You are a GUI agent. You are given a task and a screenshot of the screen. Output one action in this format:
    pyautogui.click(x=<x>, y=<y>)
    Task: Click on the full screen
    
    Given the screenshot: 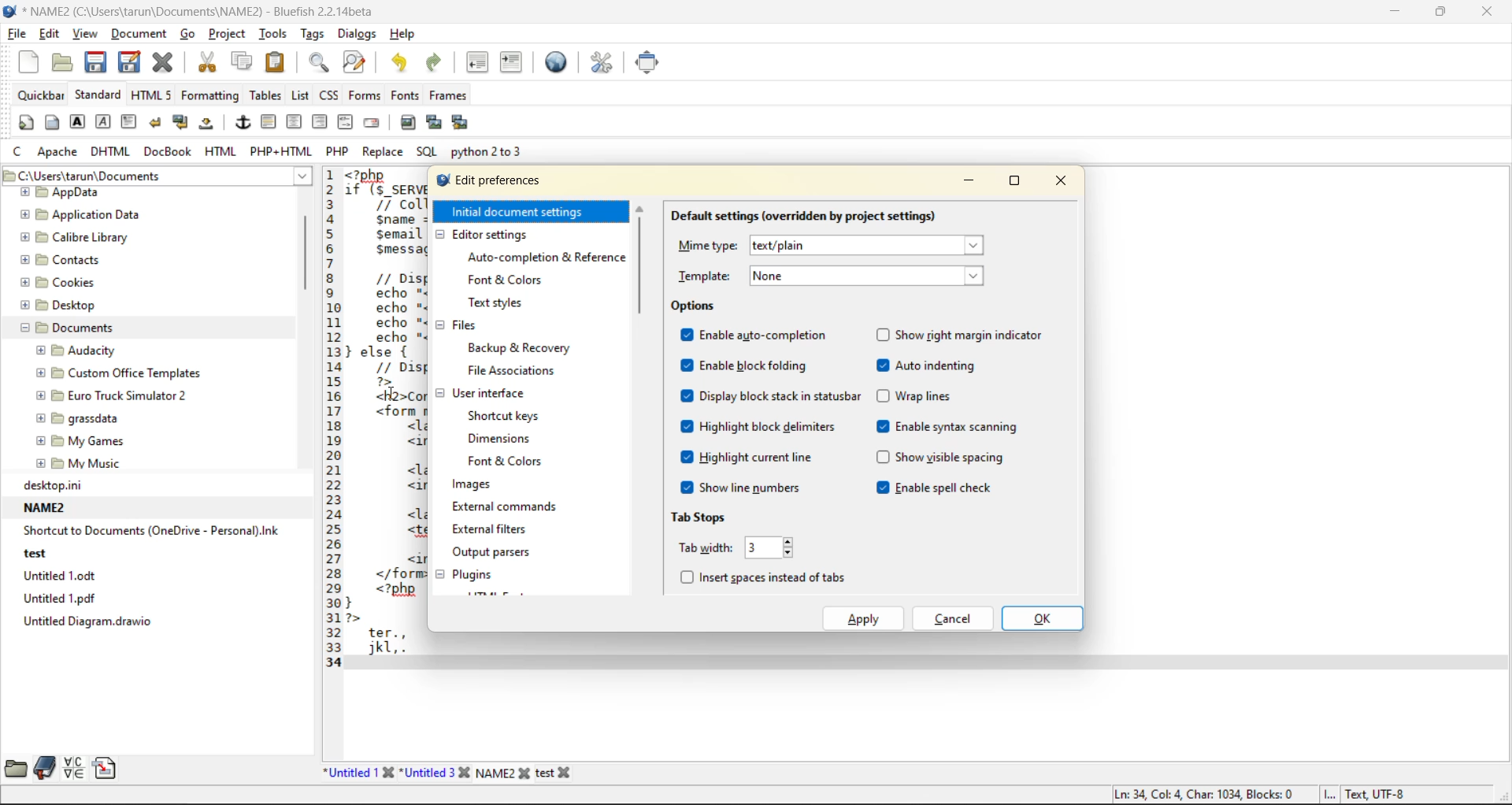 What is the action you would take?
    pyautogui.click(x=648, y=65)
    